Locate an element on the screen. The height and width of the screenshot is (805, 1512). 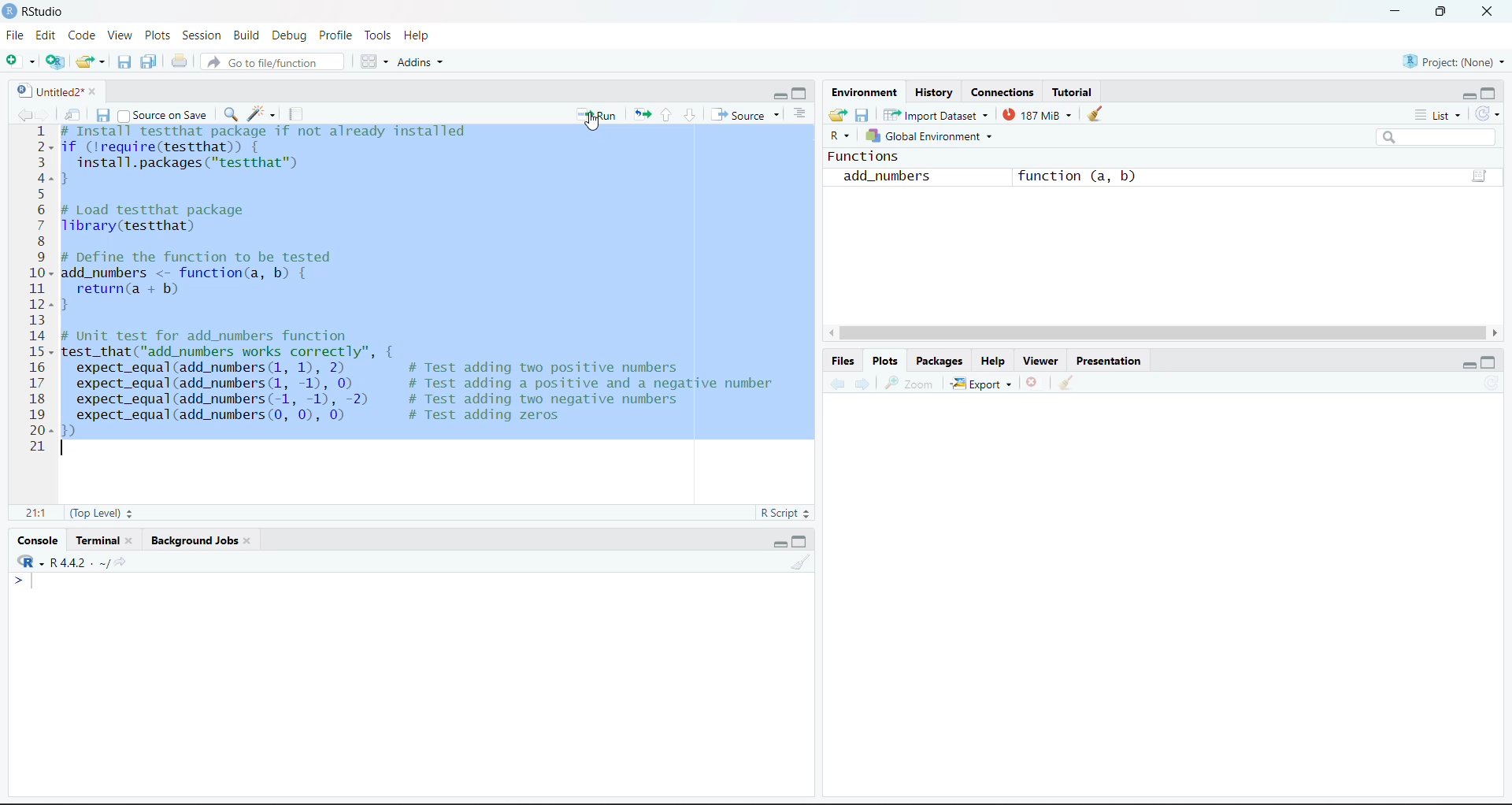
Build is located at coordinates (246, 35).